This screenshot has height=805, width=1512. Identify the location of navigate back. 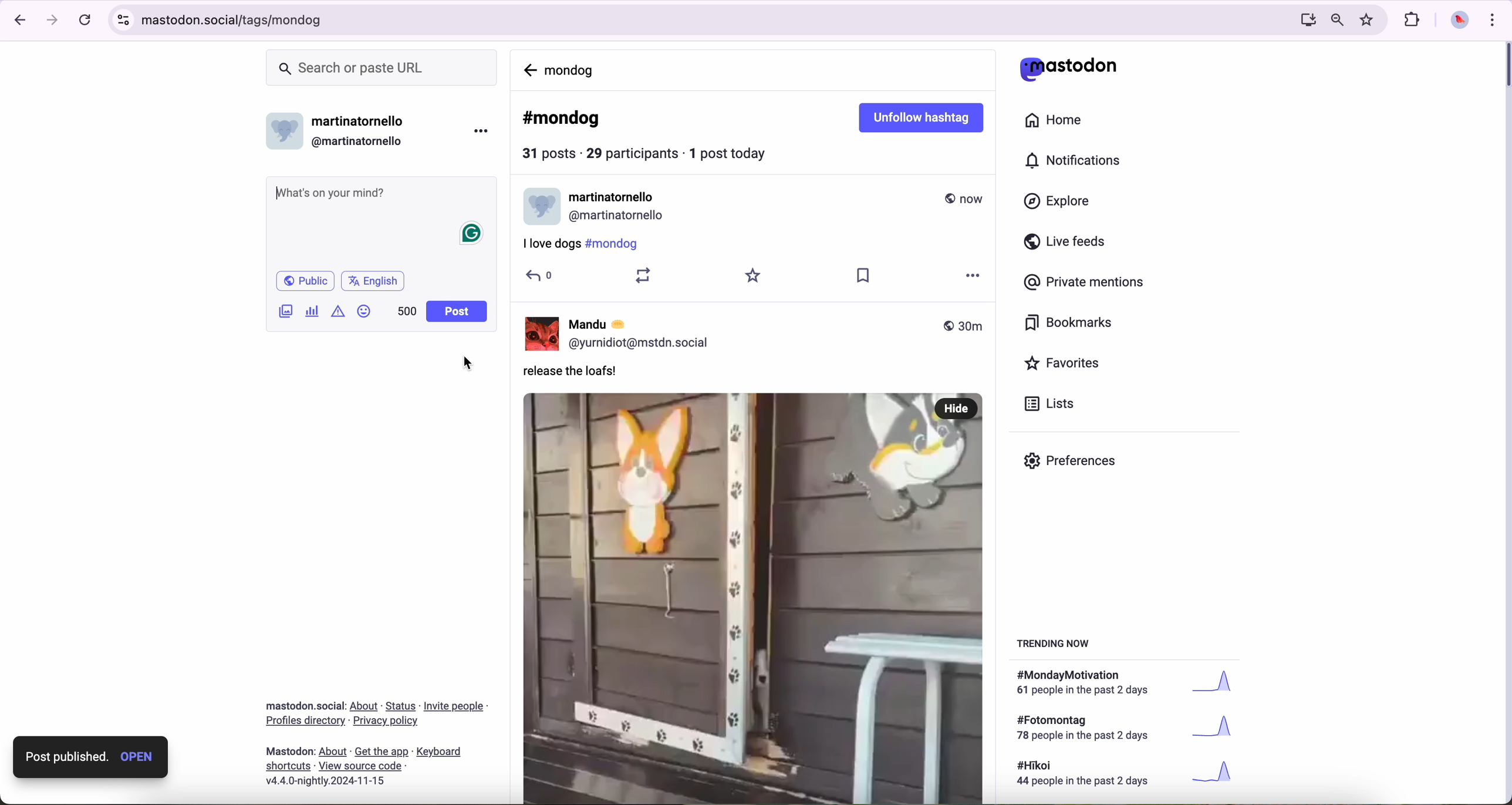
(18, 21).